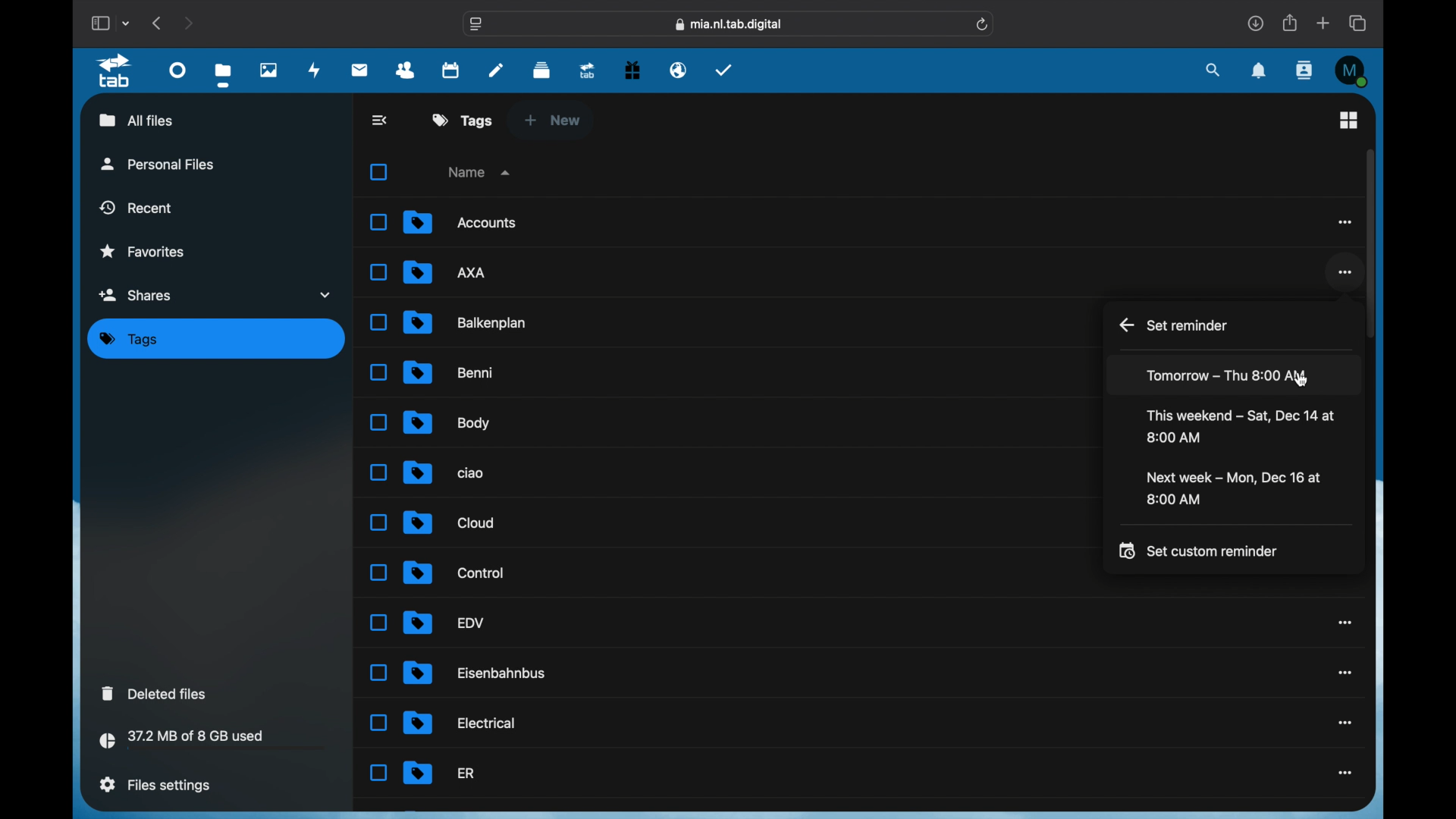  What do you see at coordinates (440, 773) in the screenshot?
I see `file` at bounding box center [440, 773].